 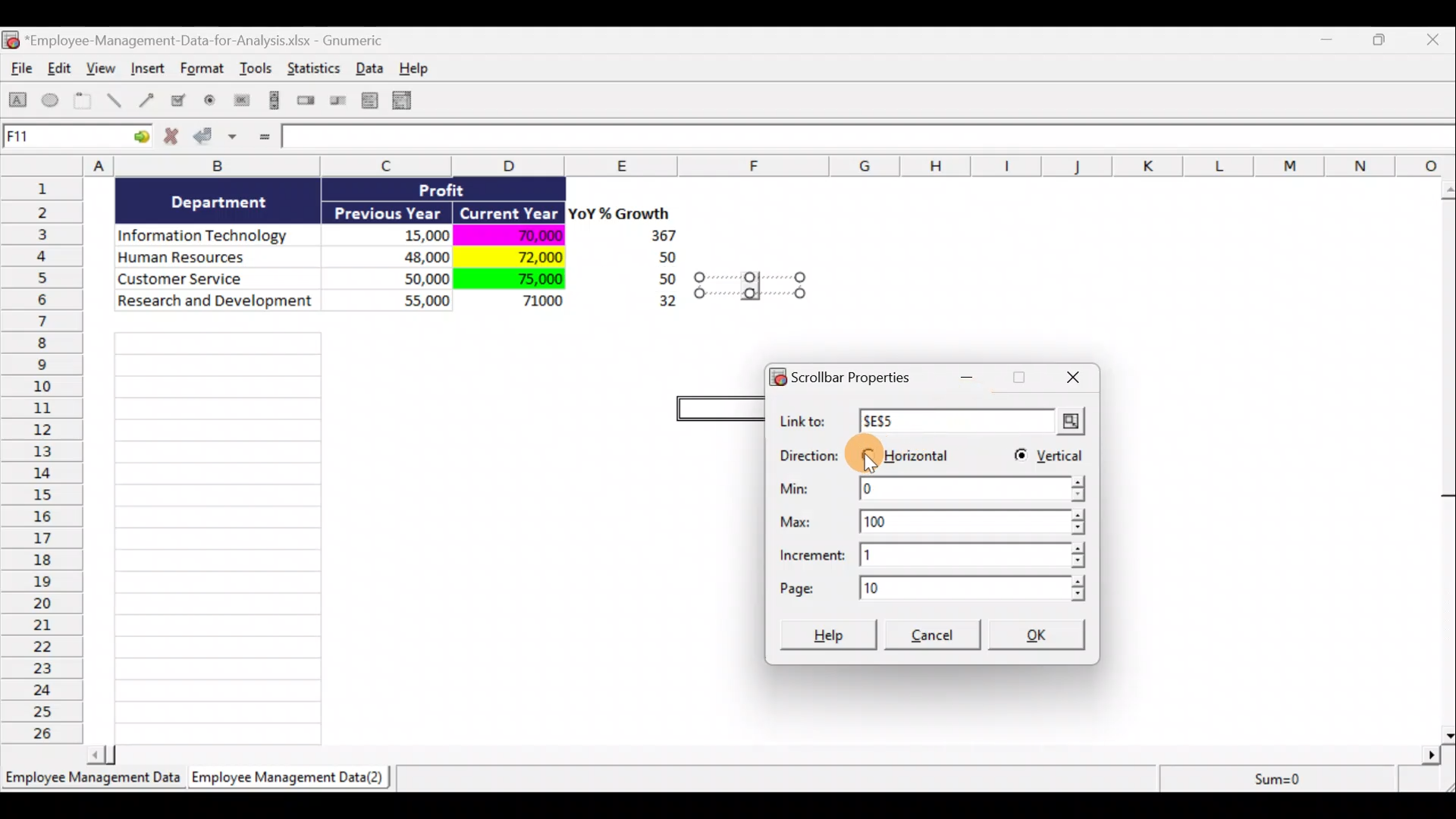 I want to click on Minimise, so click(x=971, y=382).